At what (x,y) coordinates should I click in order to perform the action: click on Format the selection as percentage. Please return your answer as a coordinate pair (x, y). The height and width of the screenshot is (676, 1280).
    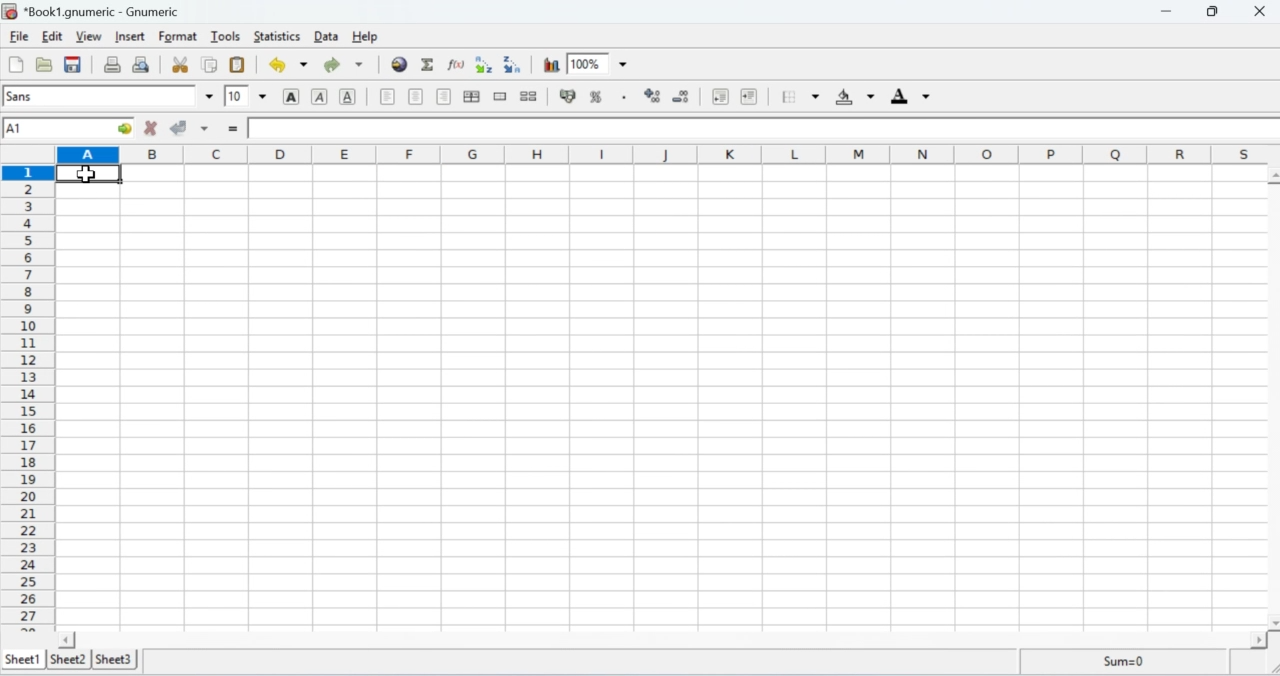
    Looking at the image, I should click on (606, 97).